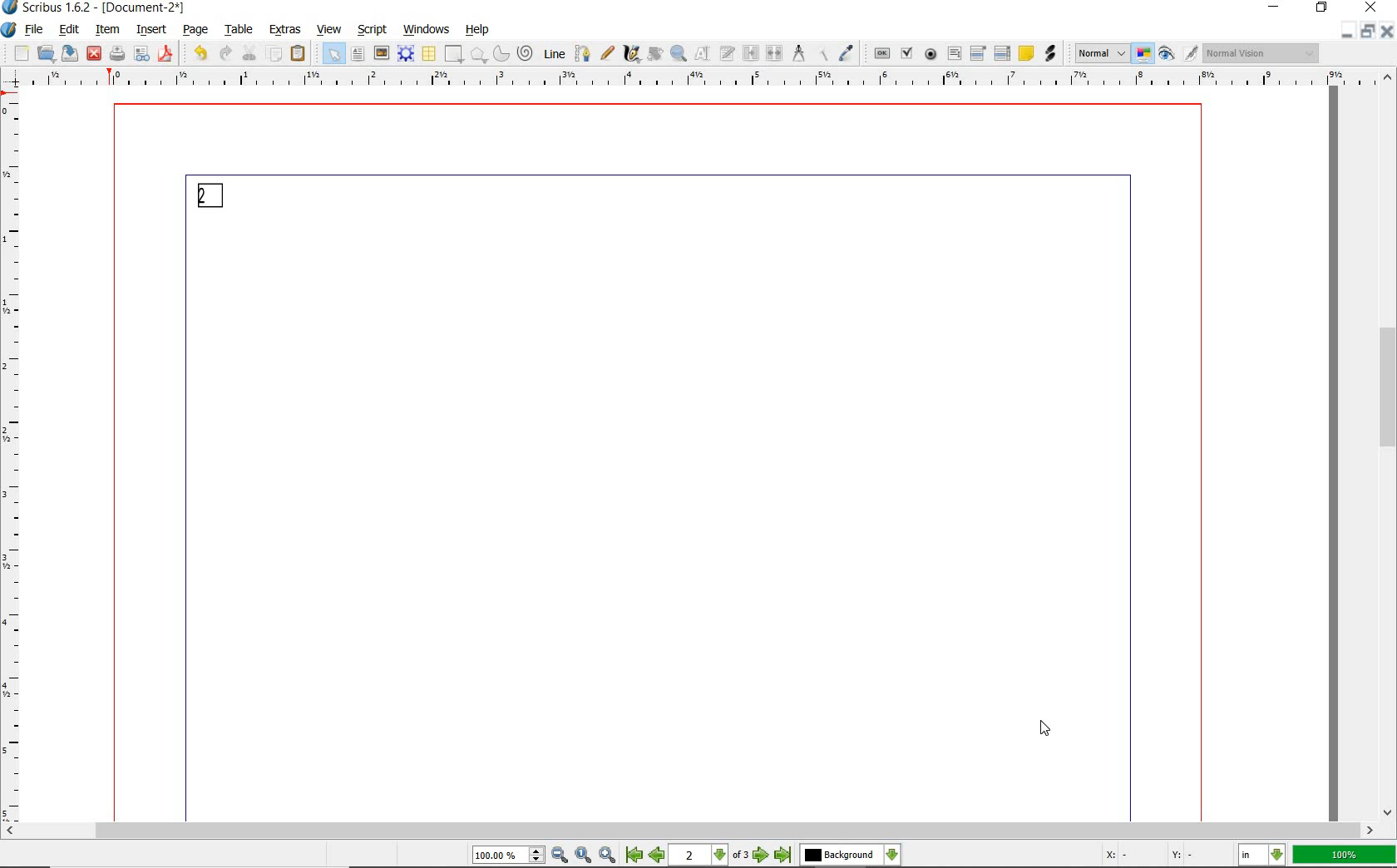 The height and width of the screenshot is (868, 1397). I want to click on Vertical Margin, so click(16, 459).